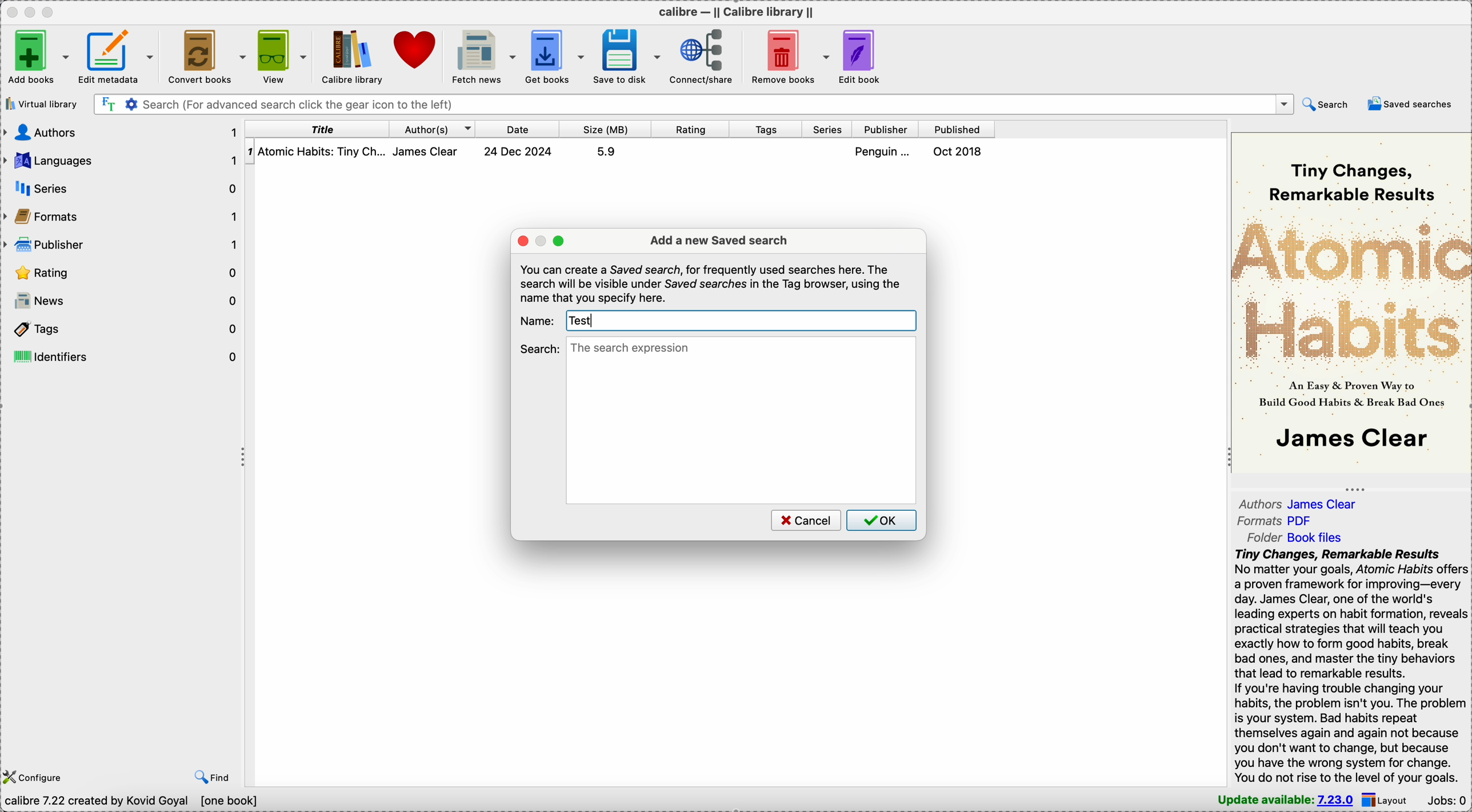 Image resolution: width=1472 pixels, height=812 pixels. Describe the element at coordinates (1355, 489) in the screenshot. I see `toggle expand/contract` at that location.